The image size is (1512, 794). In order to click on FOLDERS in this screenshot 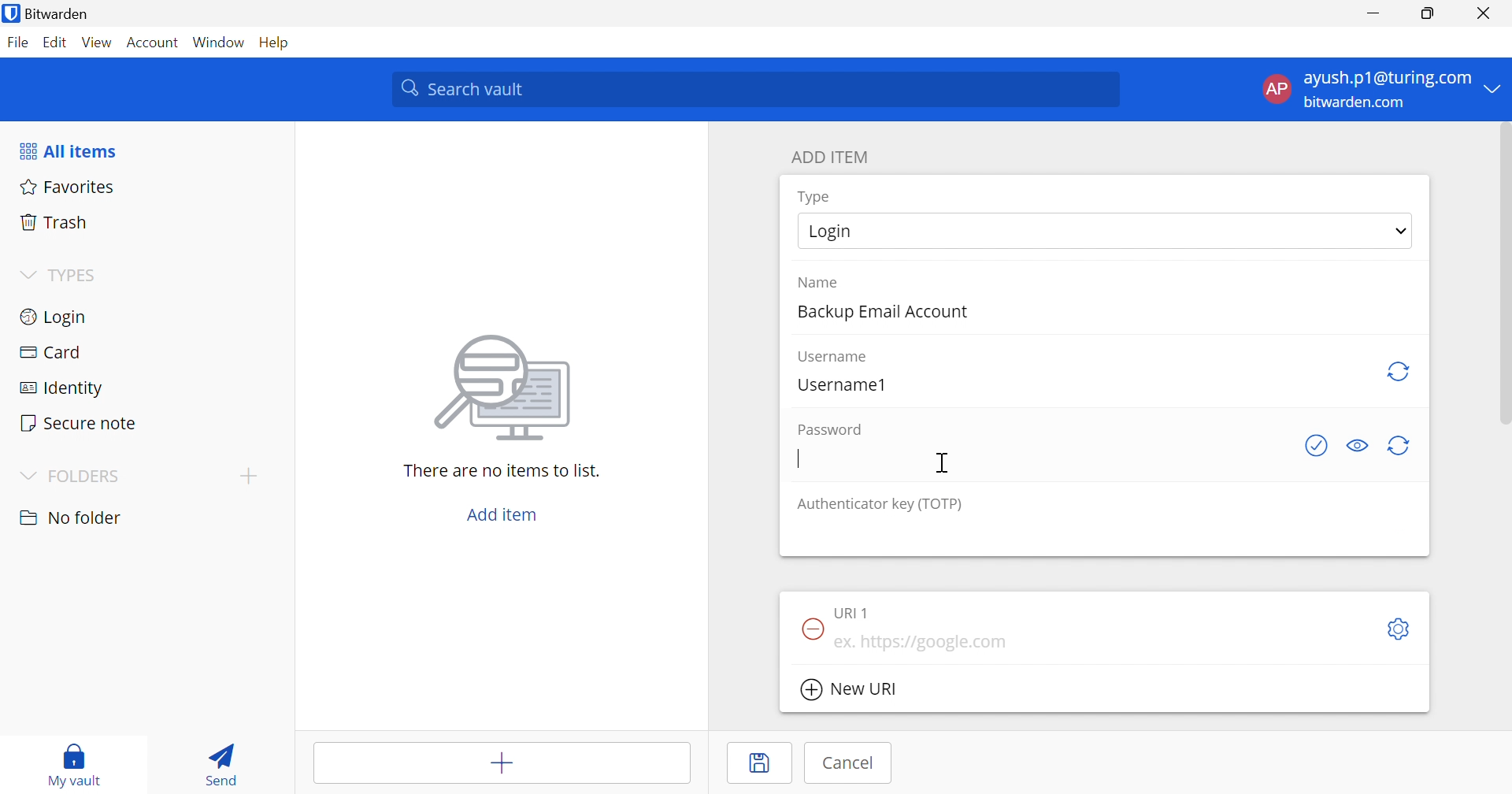, I will do `click(72, 475)`.